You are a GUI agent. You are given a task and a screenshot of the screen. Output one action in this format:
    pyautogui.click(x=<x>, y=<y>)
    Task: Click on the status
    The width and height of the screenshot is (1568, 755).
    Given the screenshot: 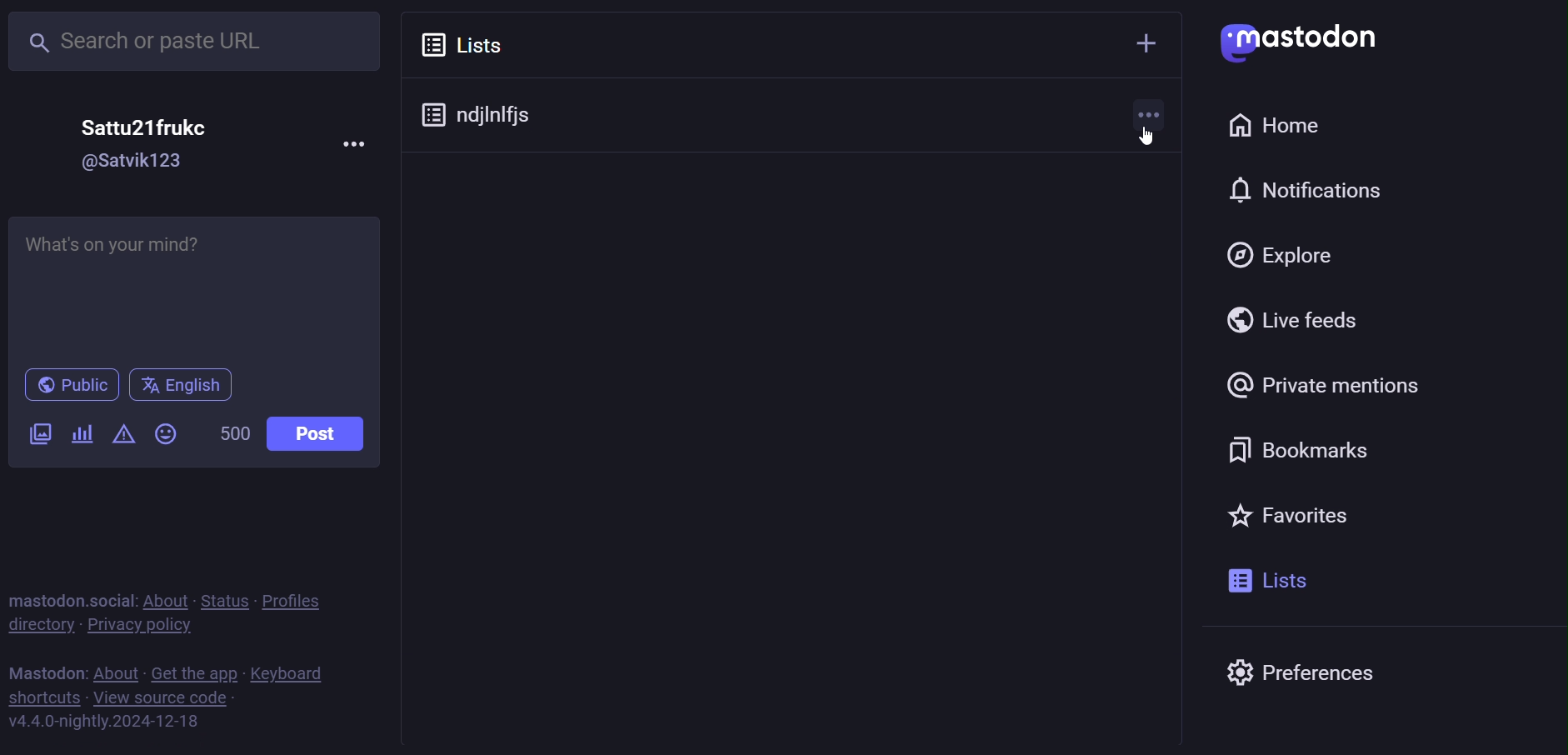 What is the action you would take?
    pyautogui.click(x=224, y=598)
    